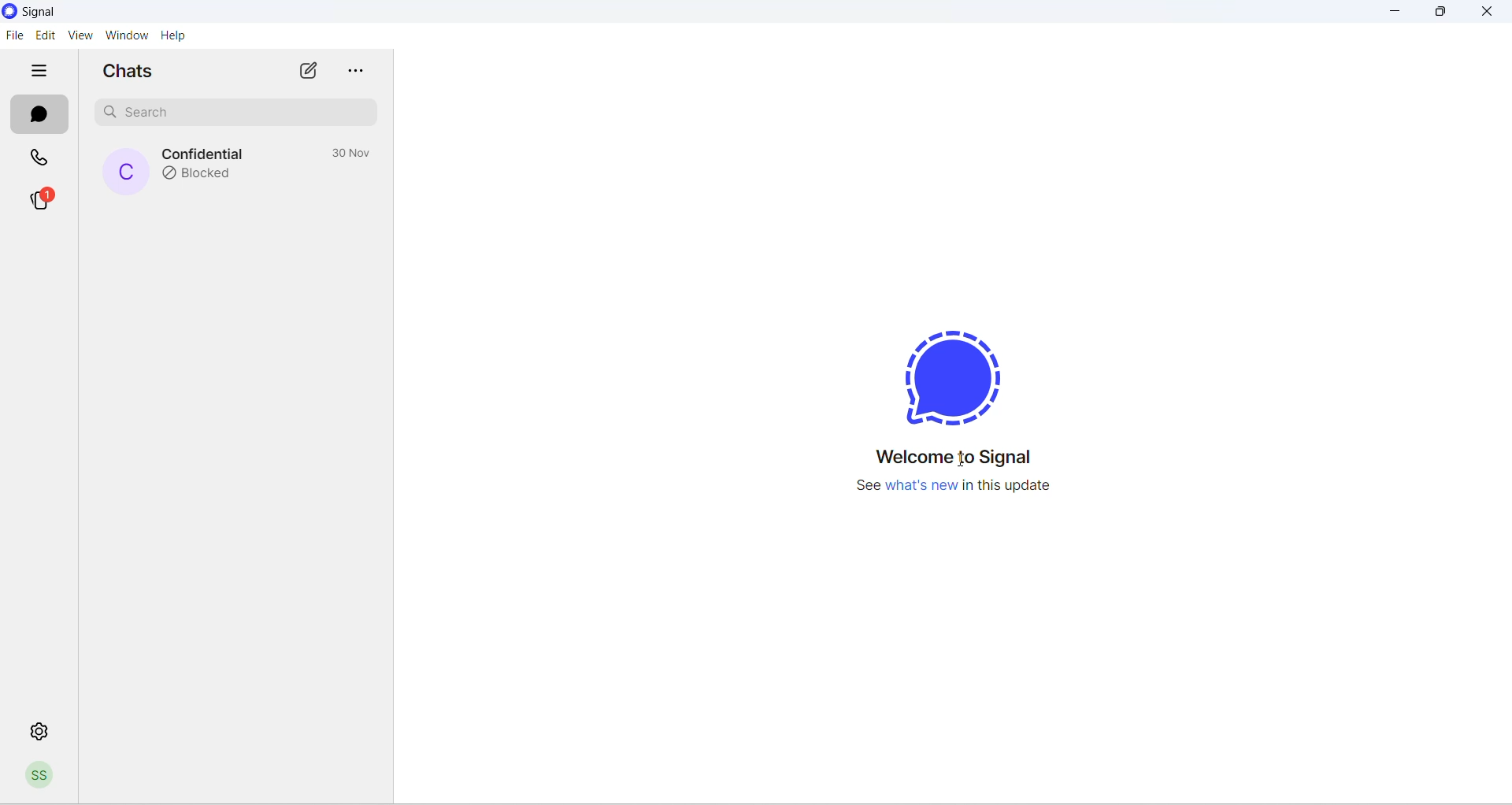  I want to click on edit, so click(44, 34).